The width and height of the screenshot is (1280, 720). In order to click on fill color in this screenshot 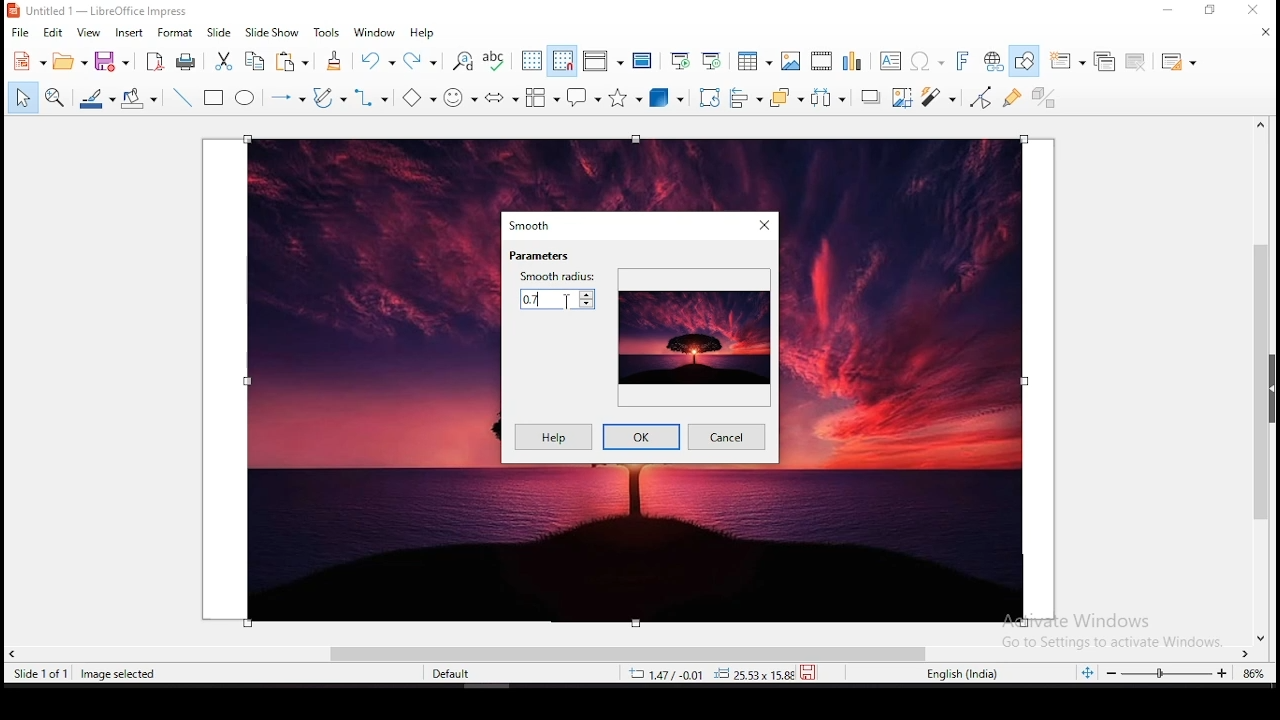, I will do `click(139, 97)`.